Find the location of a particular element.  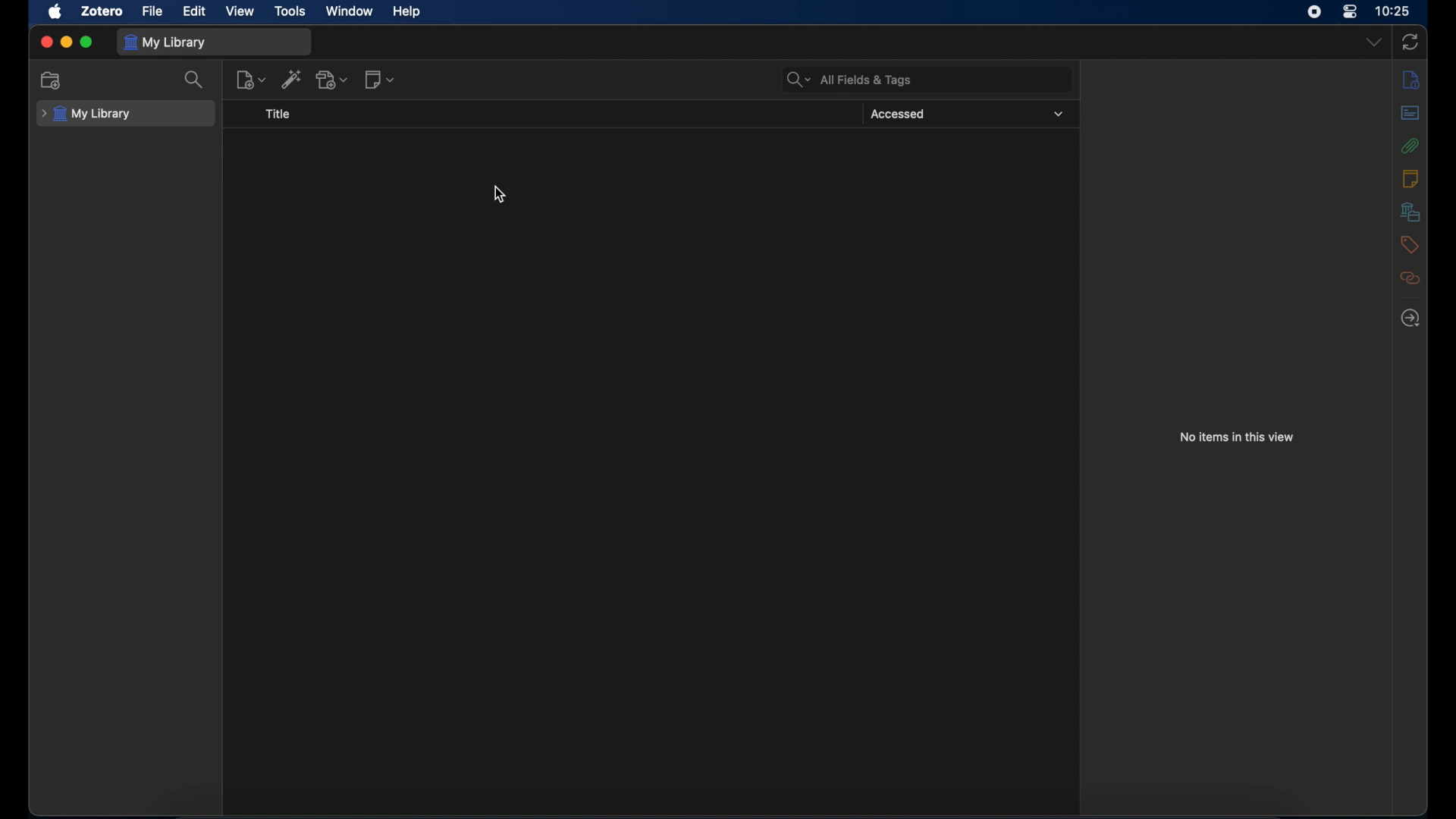

help is located at coordinates (406, 12).